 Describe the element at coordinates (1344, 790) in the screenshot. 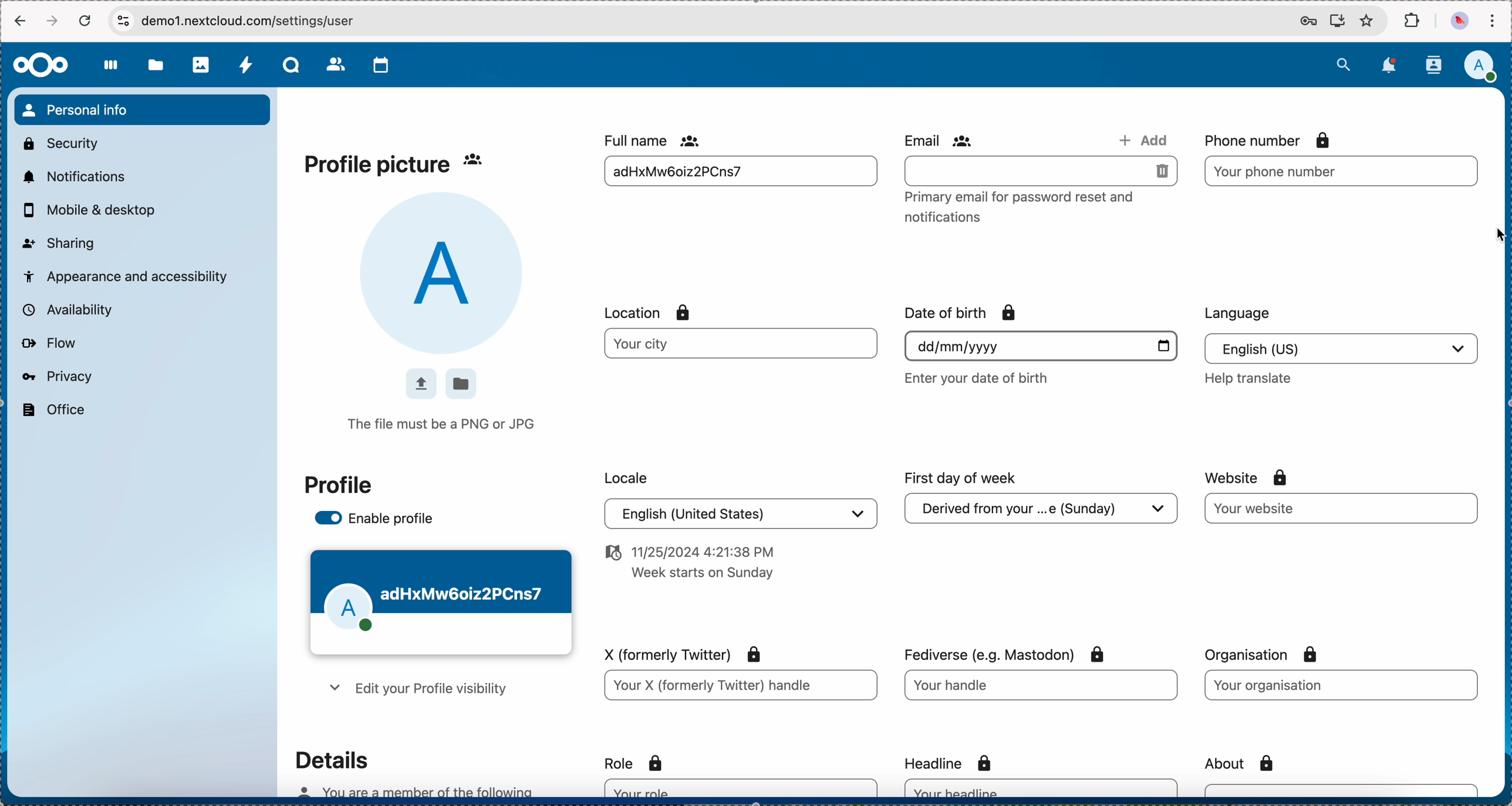

I see `type here` at that location.